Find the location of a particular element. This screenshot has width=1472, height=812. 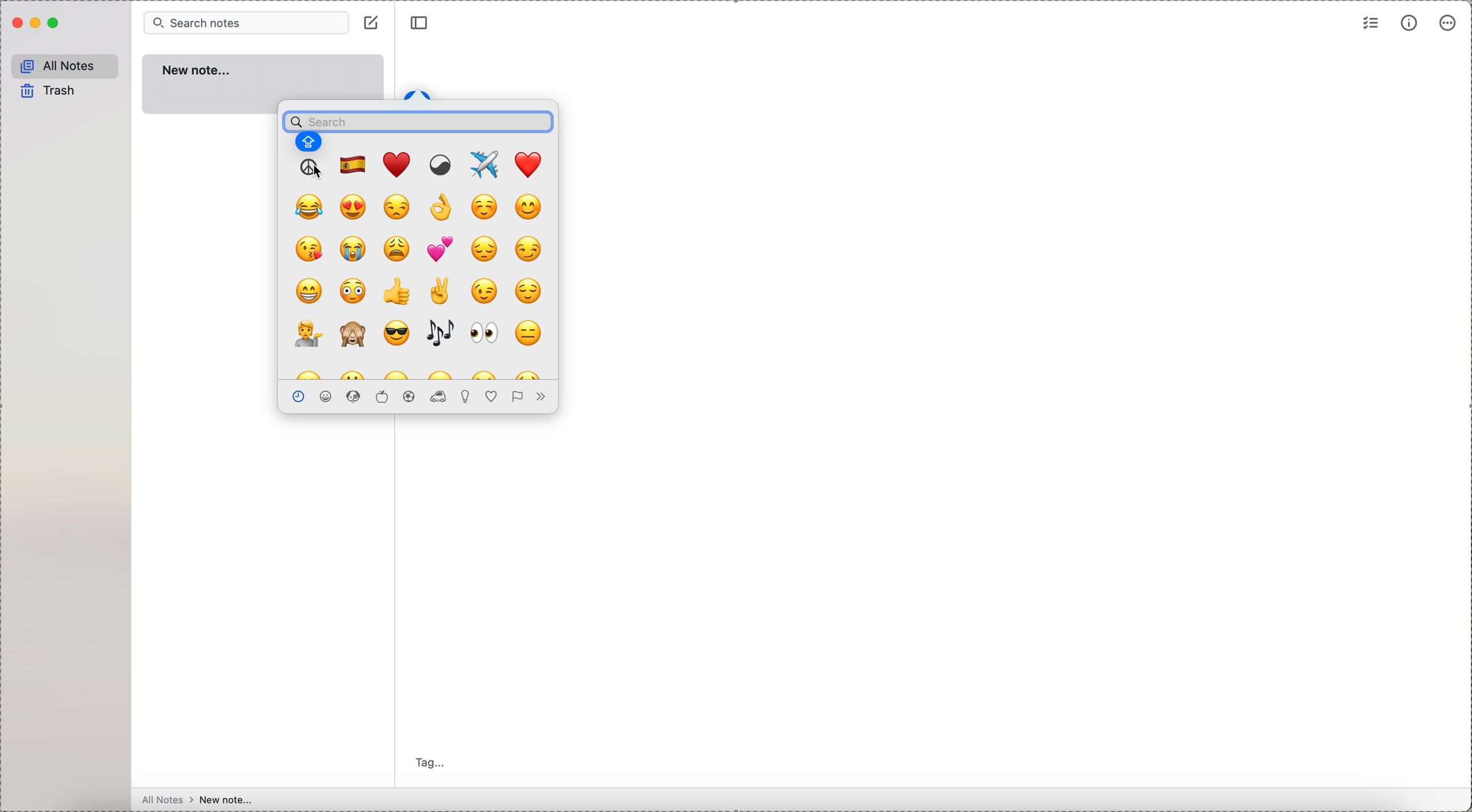

emojis is located at coordinates (440, 397).